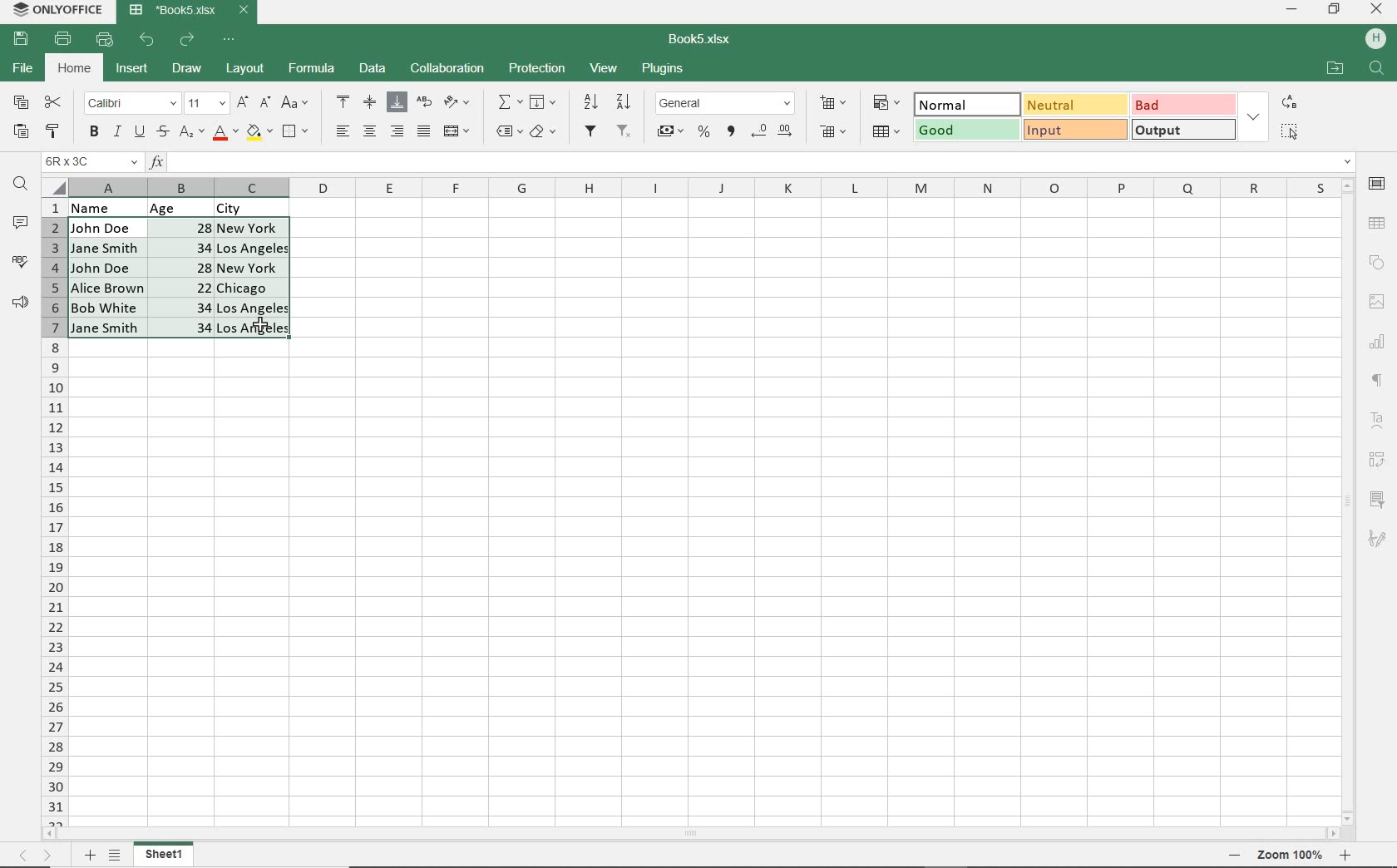  What do you see at coordinates (313, 69) in the screenshot?
I see `FORMULA` at bounding box center [313, 69].